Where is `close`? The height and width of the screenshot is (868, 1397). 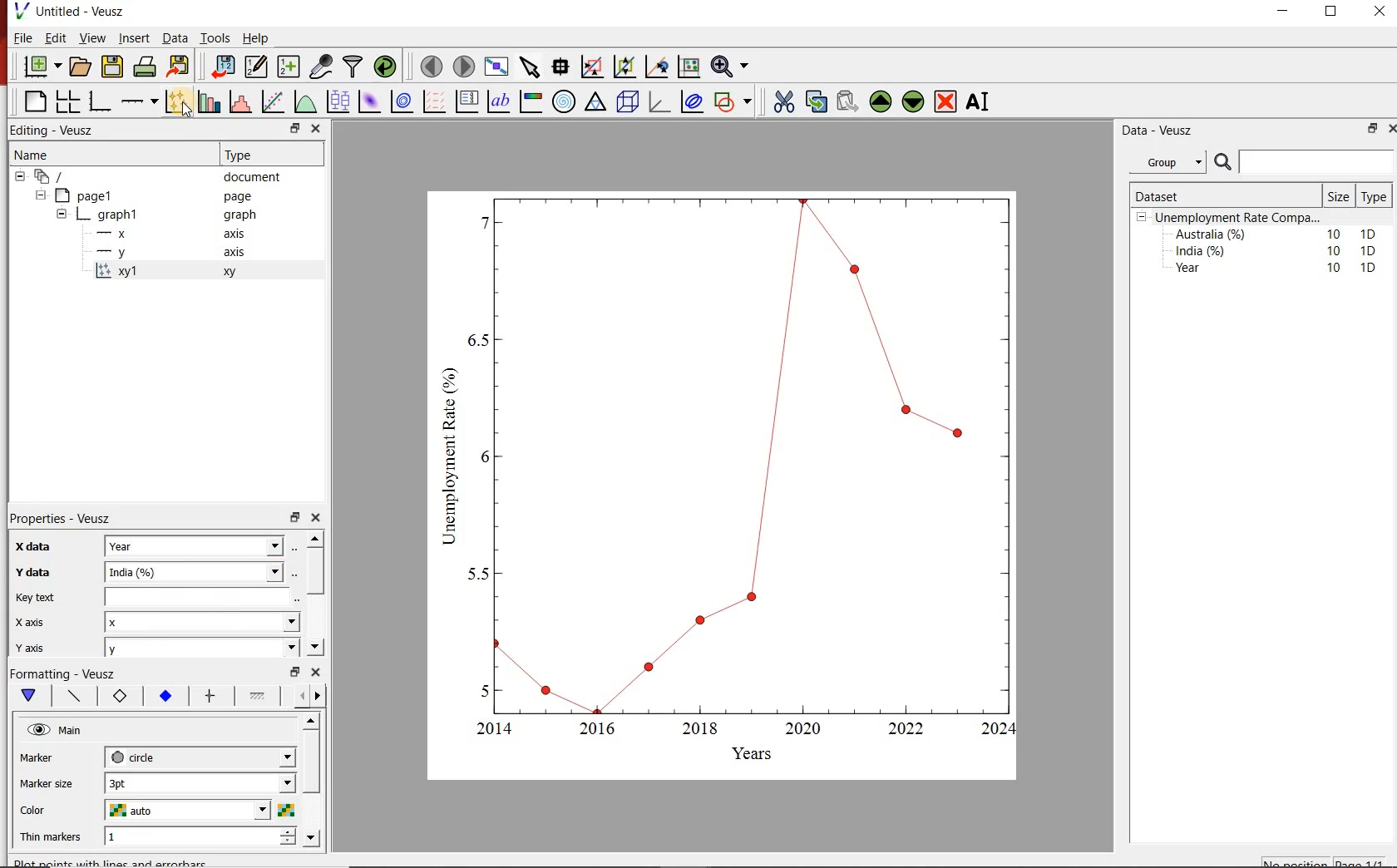
close is located at coordinates (1392, 127).